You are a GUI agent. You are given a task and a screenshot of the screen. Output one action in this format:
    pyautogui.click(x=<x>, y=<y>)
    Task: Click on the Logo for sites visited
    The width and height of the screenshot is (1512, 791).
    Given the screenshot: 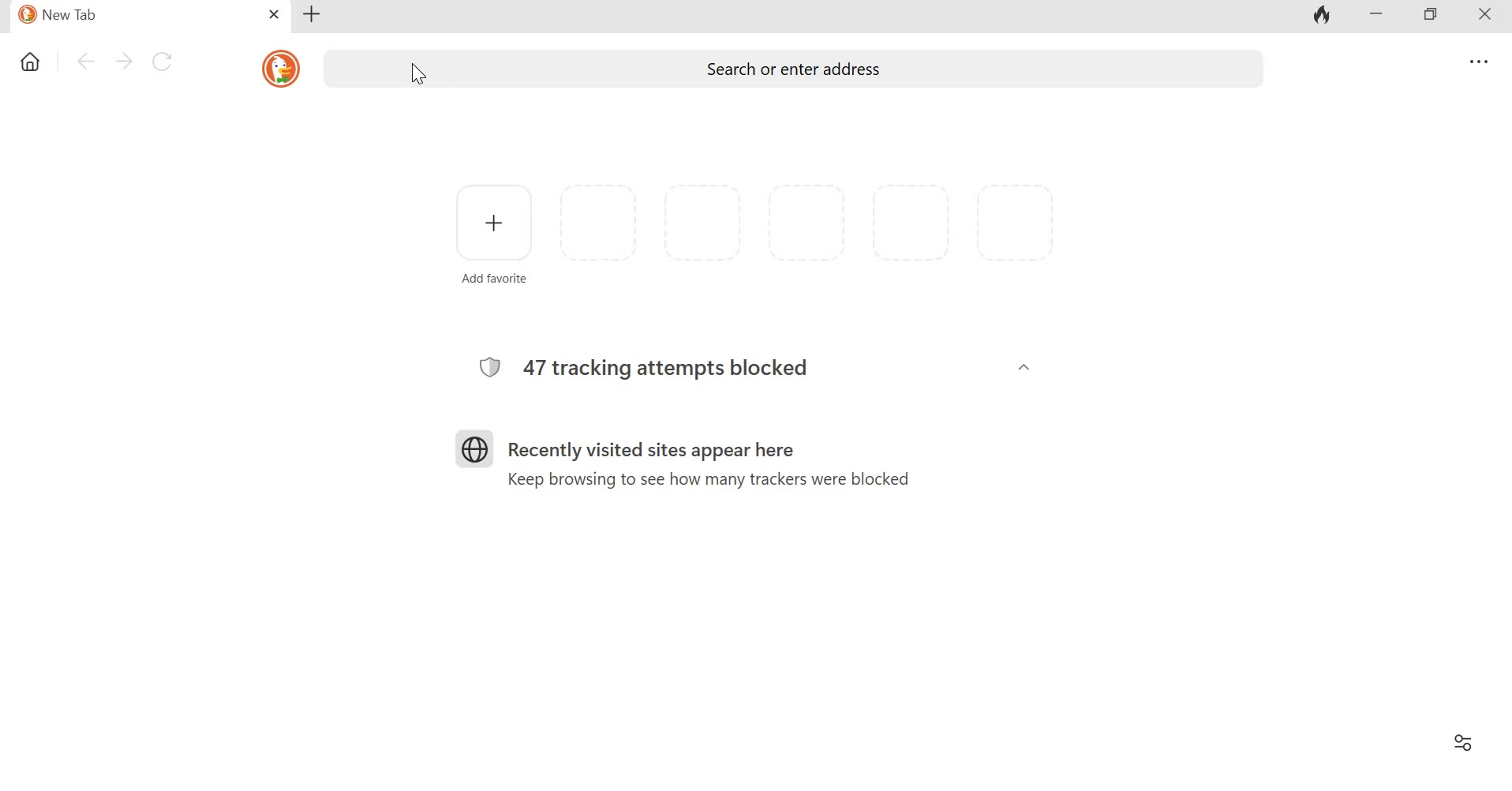 What is the action you would take?
    pyautogui.click(x=474, y=449)
    